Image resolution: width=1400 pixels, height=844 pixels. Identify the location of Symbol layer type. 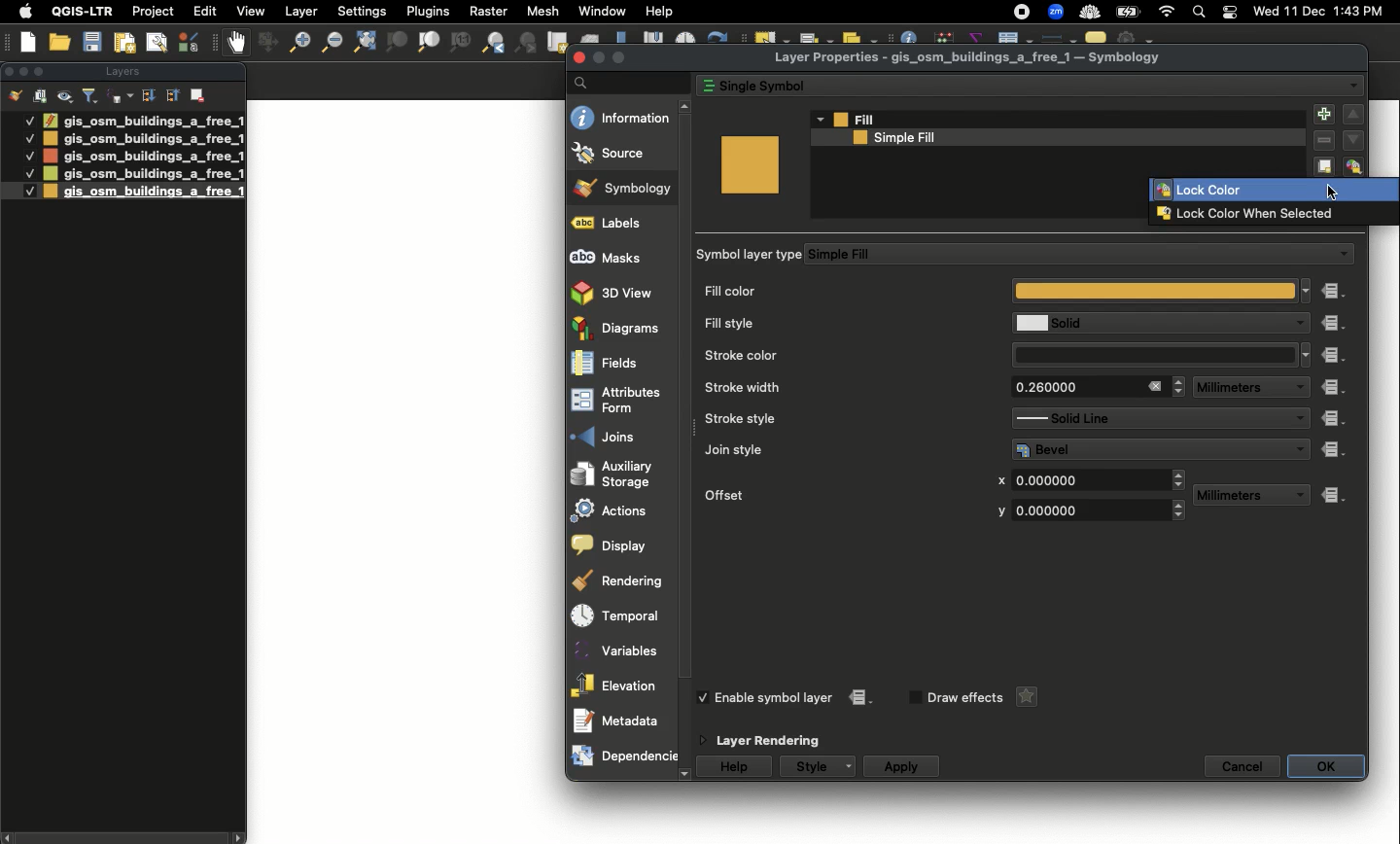
(752, 255).